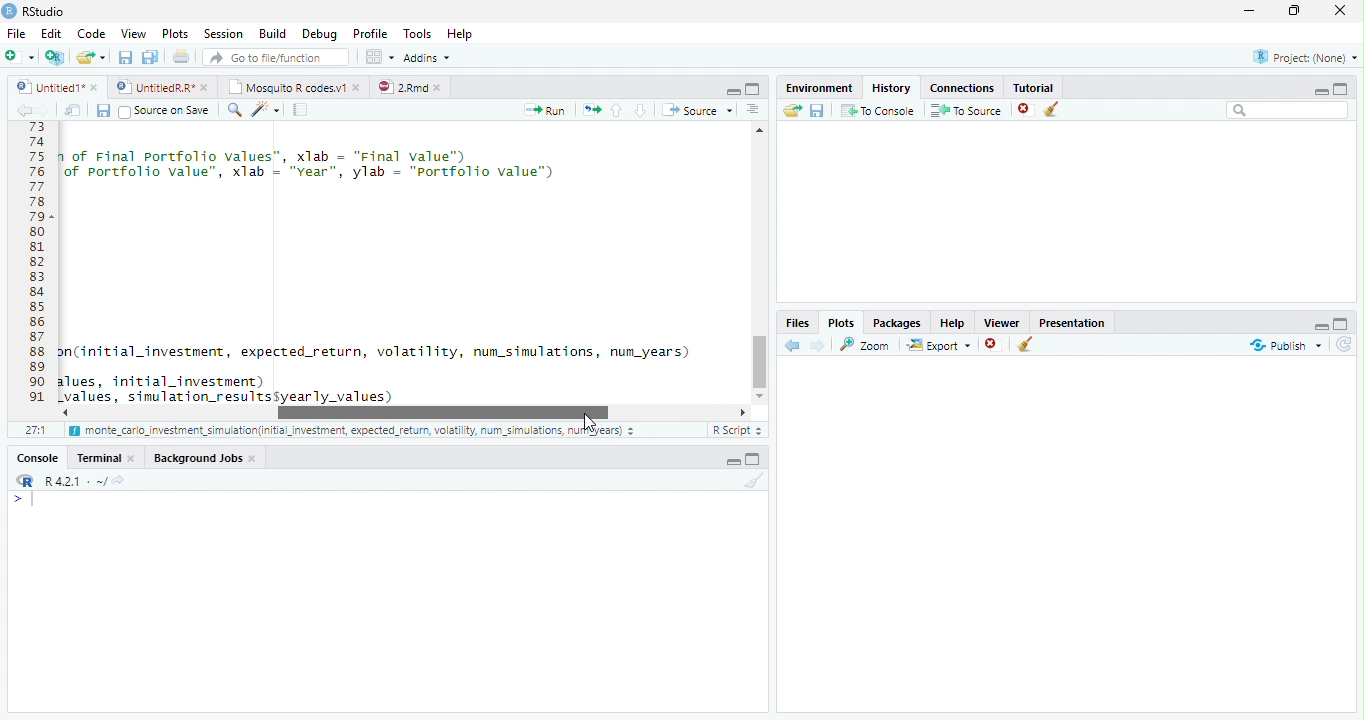 Image resolution: width=1364 pixels, height=720 pixels. Describe the element at coordinates (1253, 12) in the screenshot. I see `Minimize` at that location.